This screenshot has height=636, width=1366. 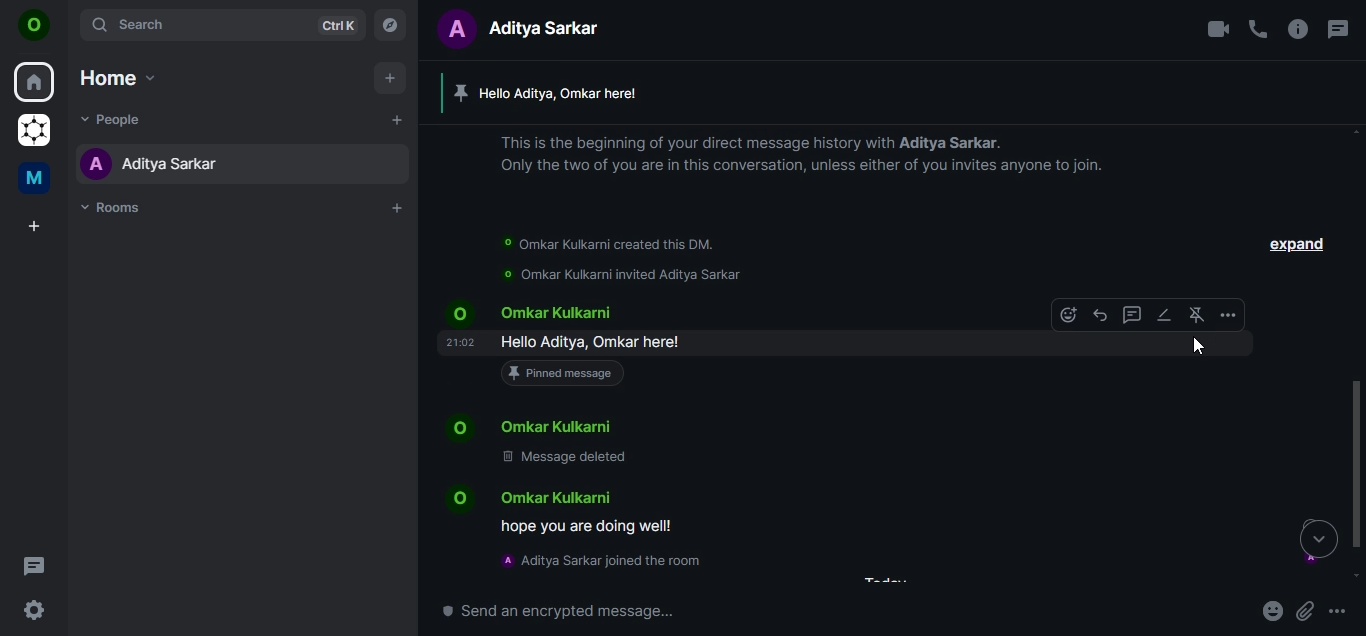 What do you see at coordinates (33, 81) in the screenshot?
I see `home` at bounding box center [33, 81].